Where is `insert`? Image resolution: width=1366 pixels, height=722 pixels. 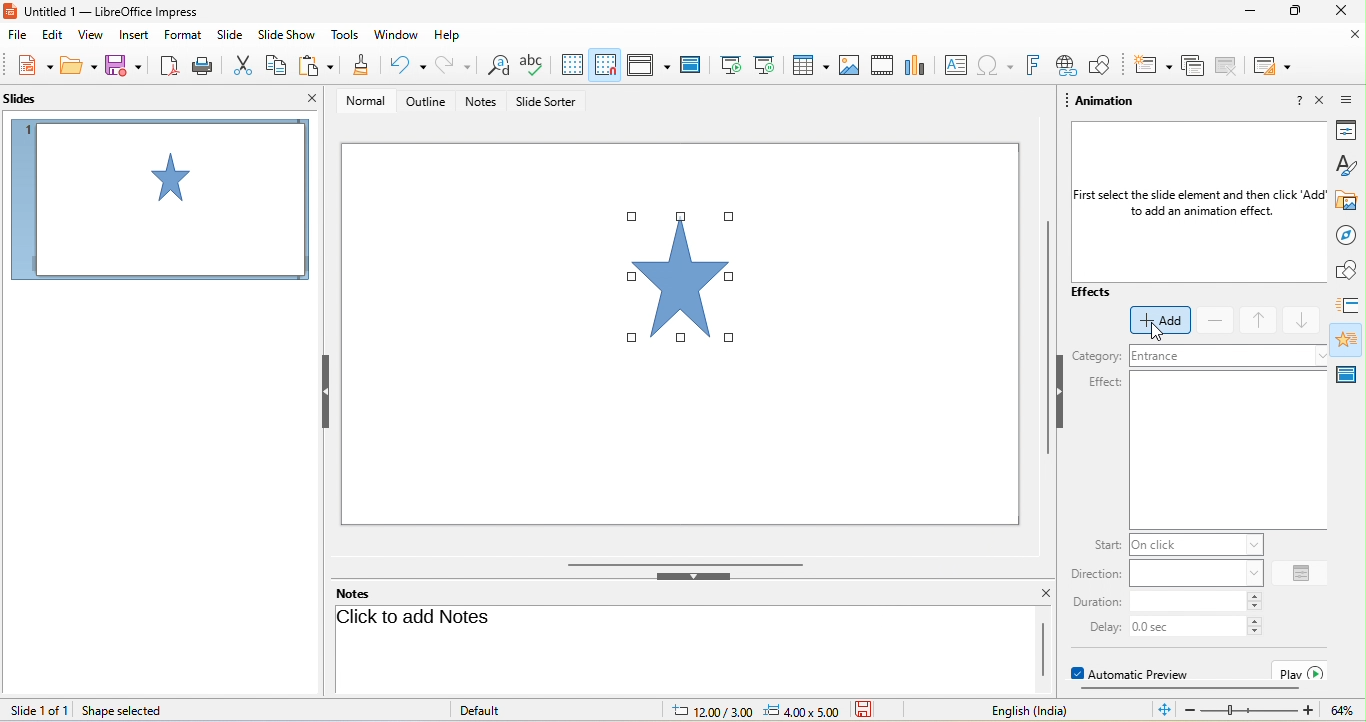 insert is located at coordinates (132, 36).